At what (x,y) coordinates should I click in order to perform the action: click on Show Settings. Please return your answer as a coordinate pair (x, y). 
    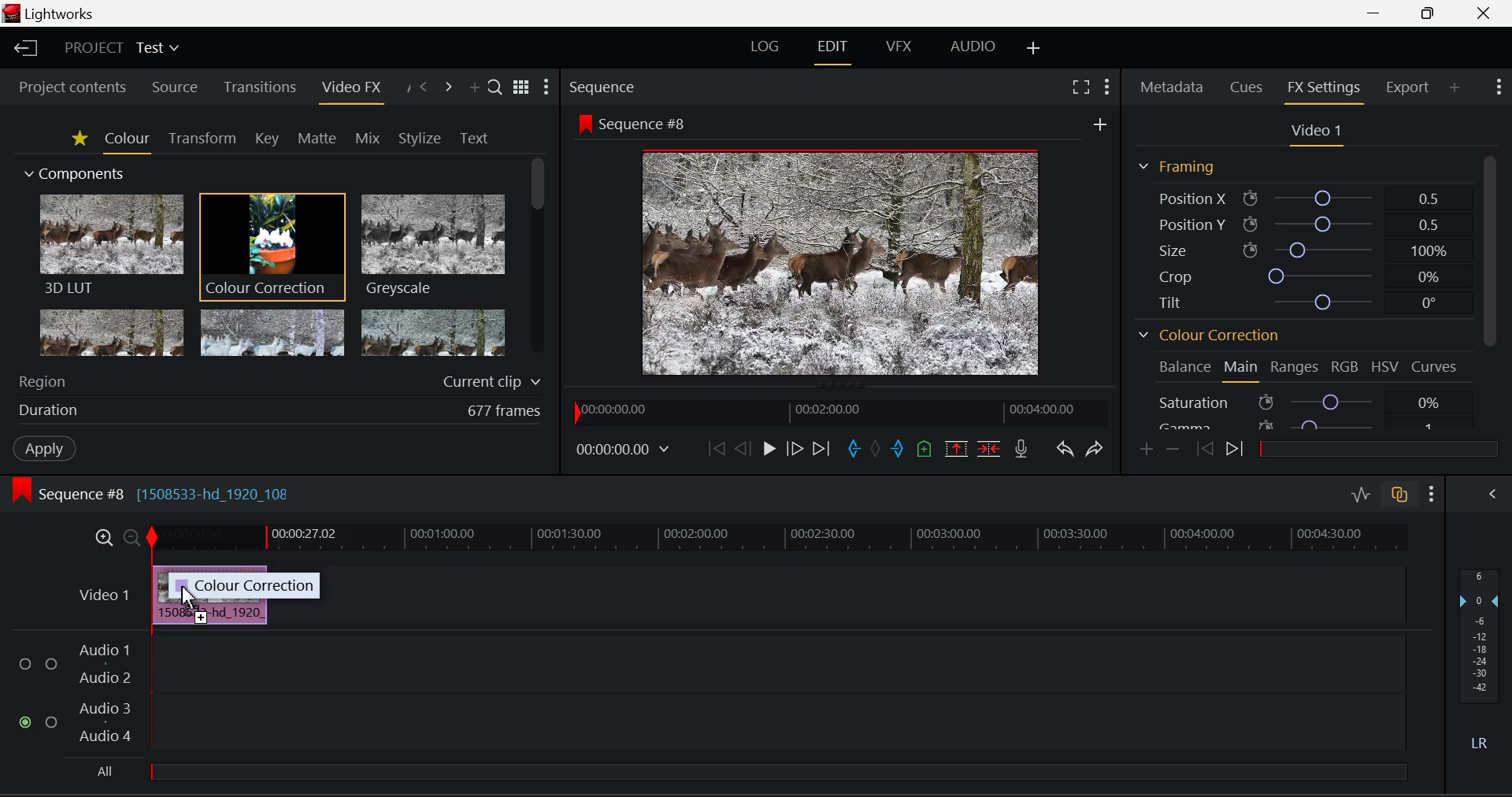
    Looking at the image, I should click on (1106, 87).